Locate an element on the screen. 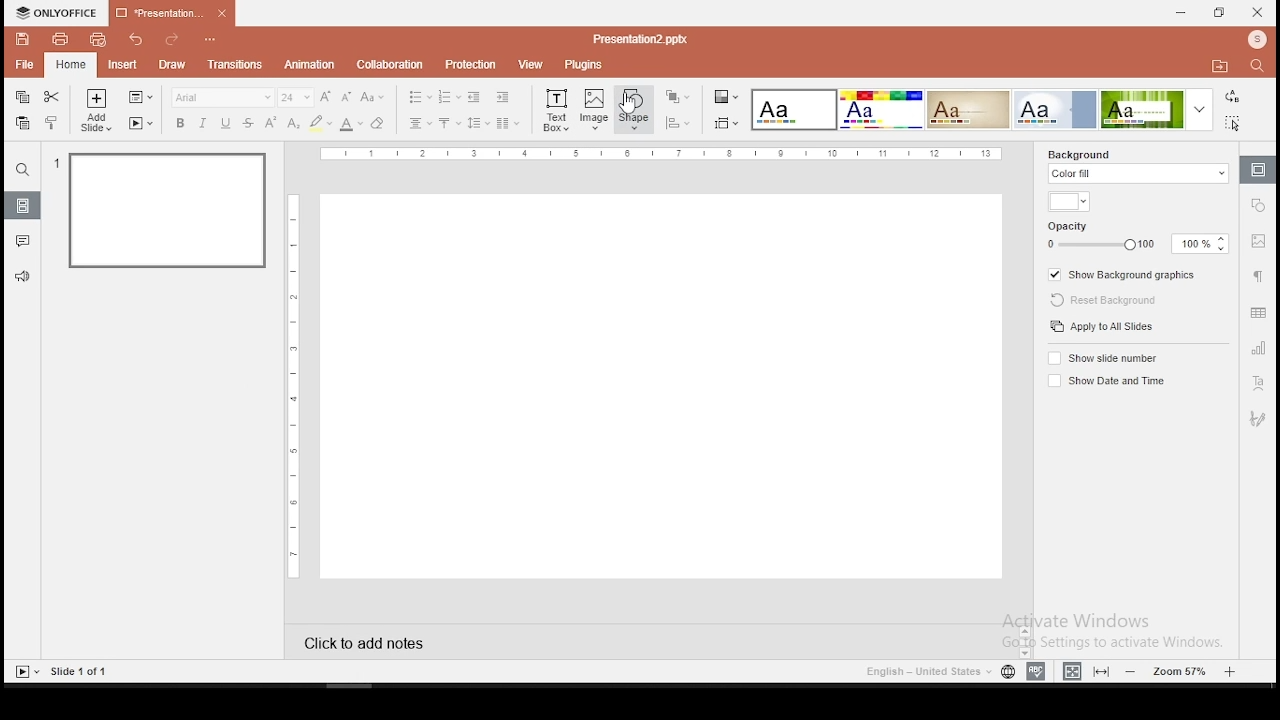 The image size is (1280, 720). select slide size is located at coordinates (726, 123).